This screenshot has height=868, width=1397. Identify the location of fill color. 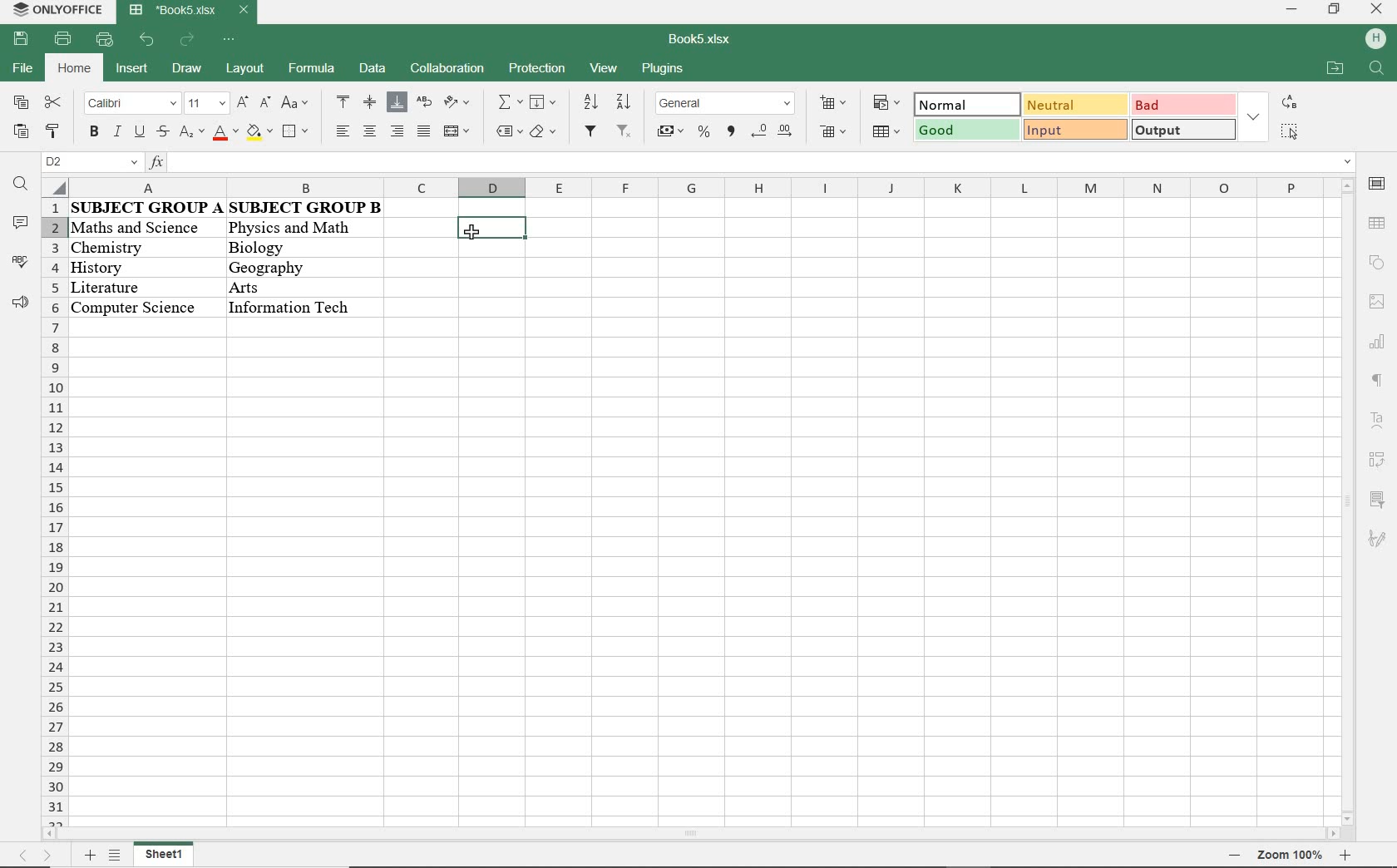
(260, 134).